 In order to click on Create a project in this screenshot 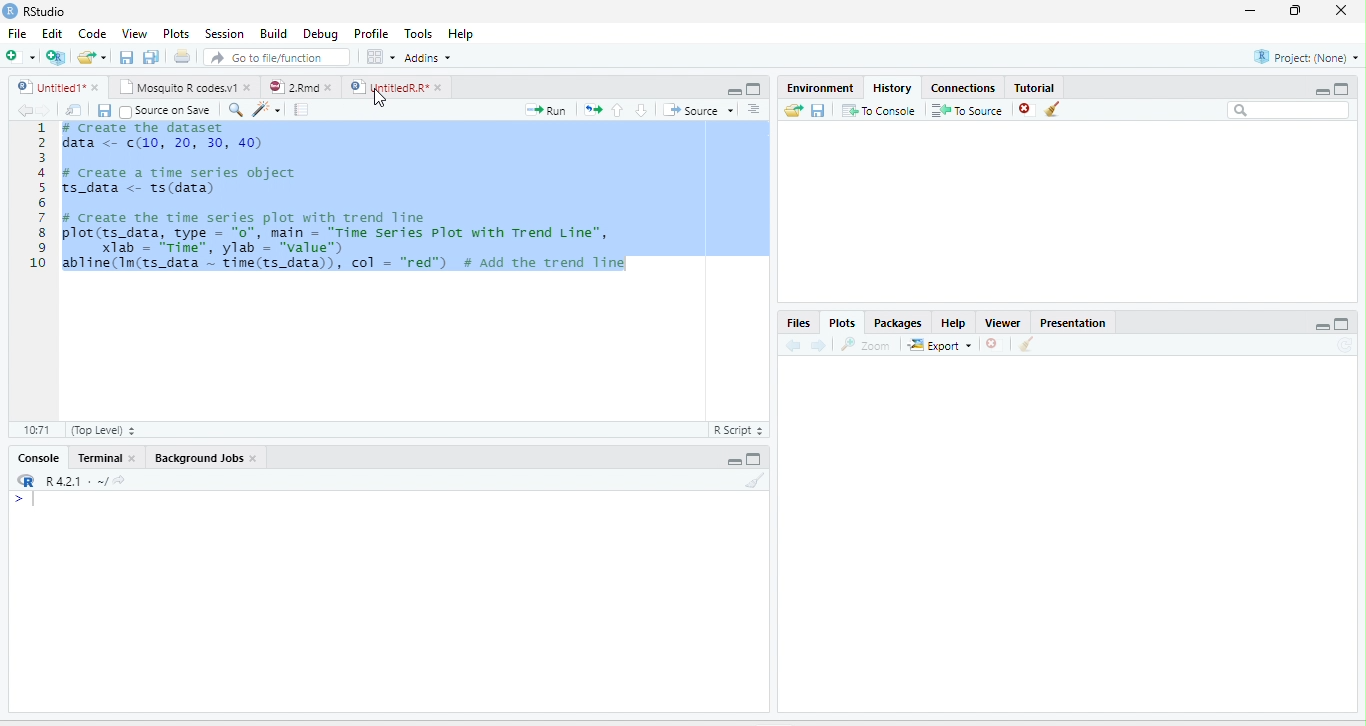, I will do `click(55, 56)`.